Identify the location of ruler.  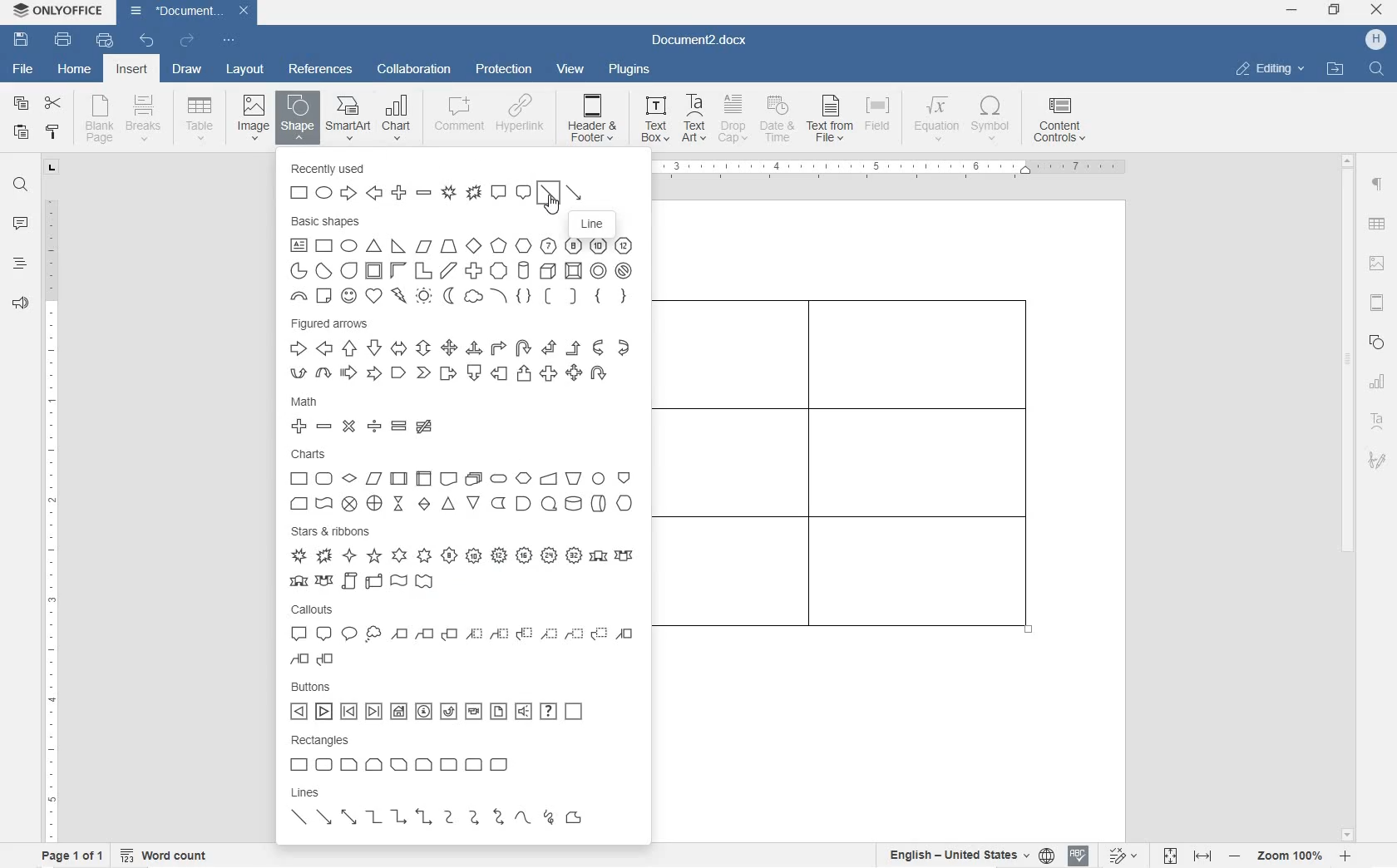
(898, 170).